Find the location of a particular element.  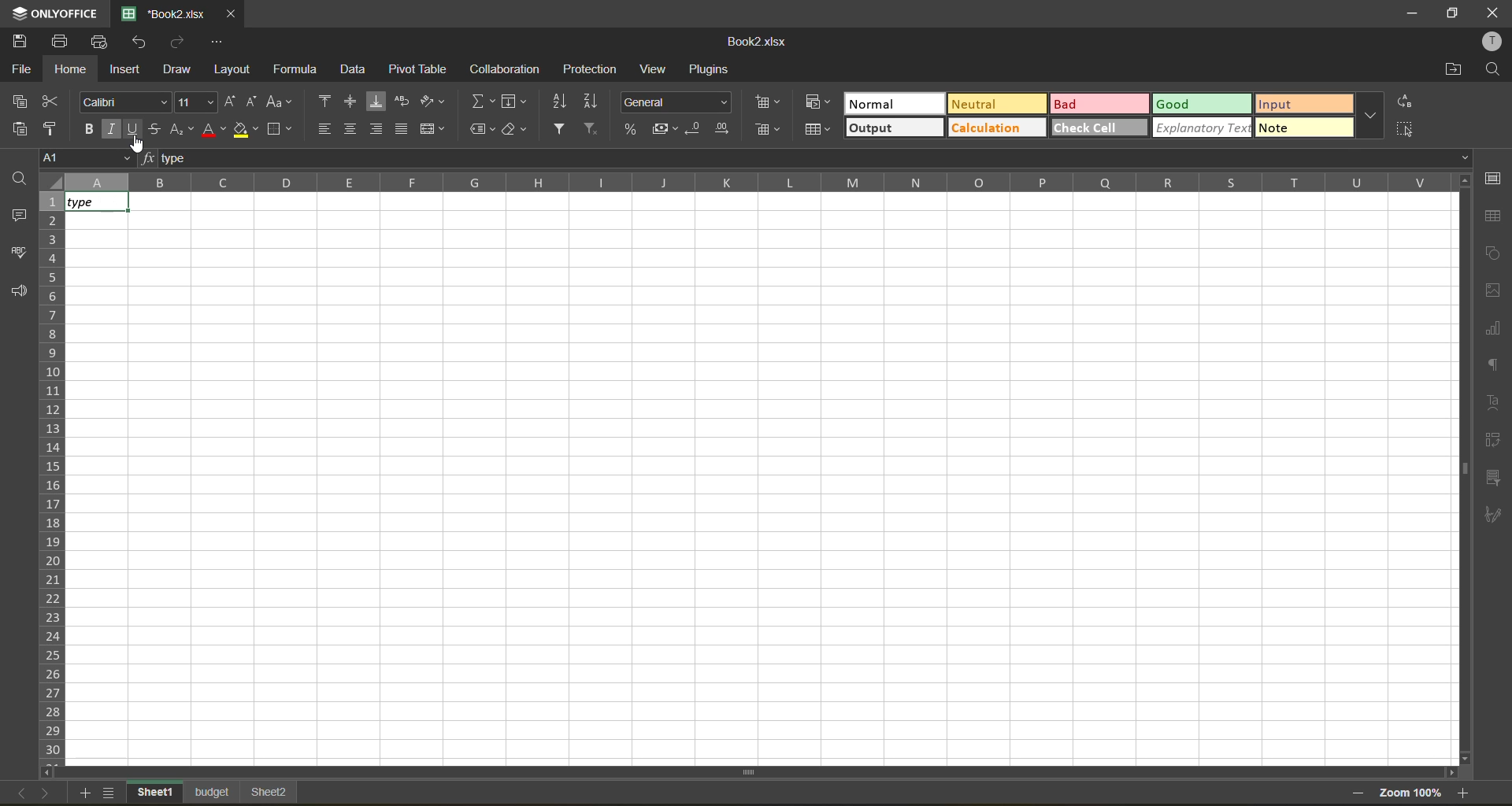

table is located at coordinates (1493, 216).